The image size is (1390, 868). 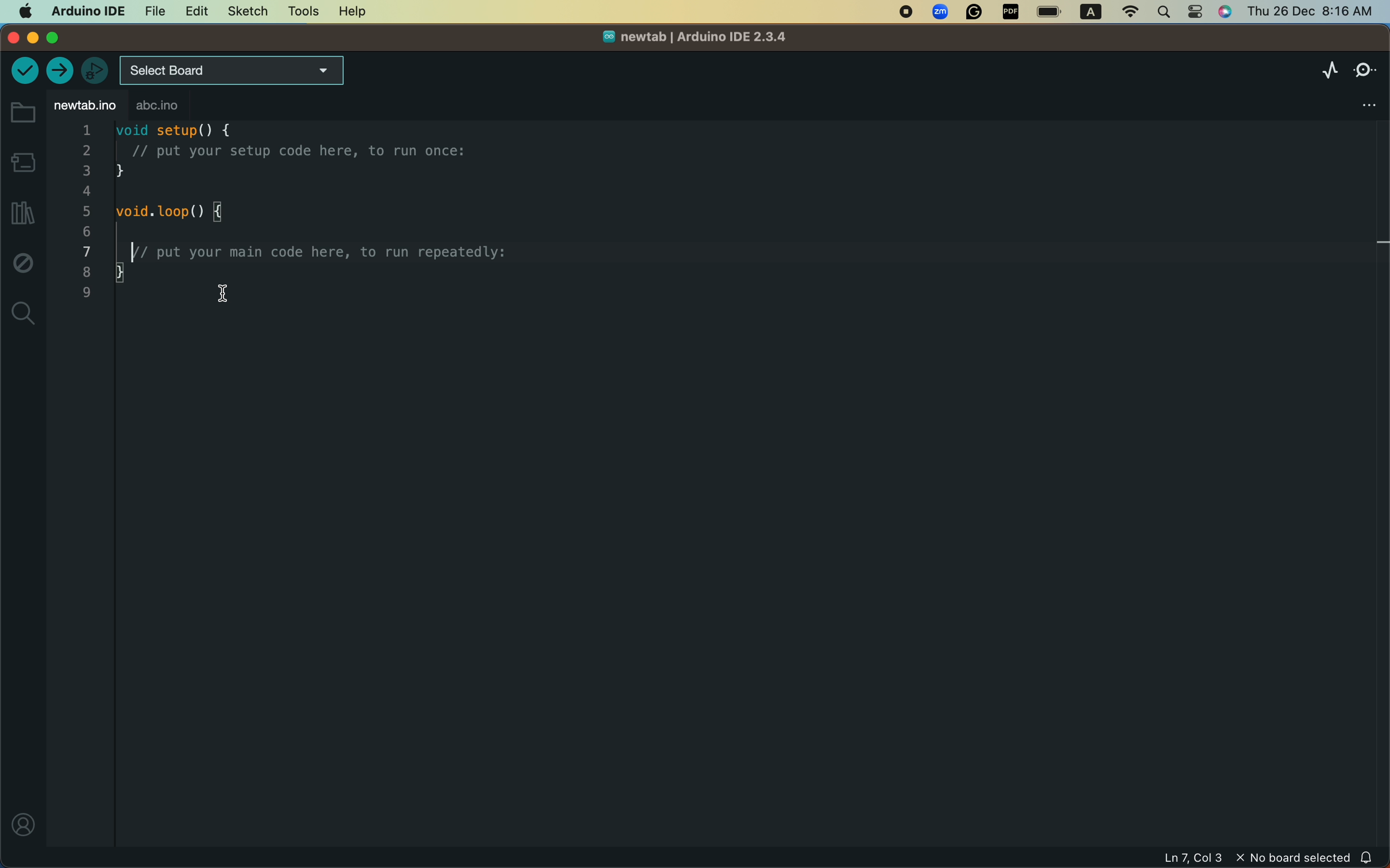 What do you see at coordinates (23, 266) in the screenshot?
I see `debug` at bounding box center [23, 266].